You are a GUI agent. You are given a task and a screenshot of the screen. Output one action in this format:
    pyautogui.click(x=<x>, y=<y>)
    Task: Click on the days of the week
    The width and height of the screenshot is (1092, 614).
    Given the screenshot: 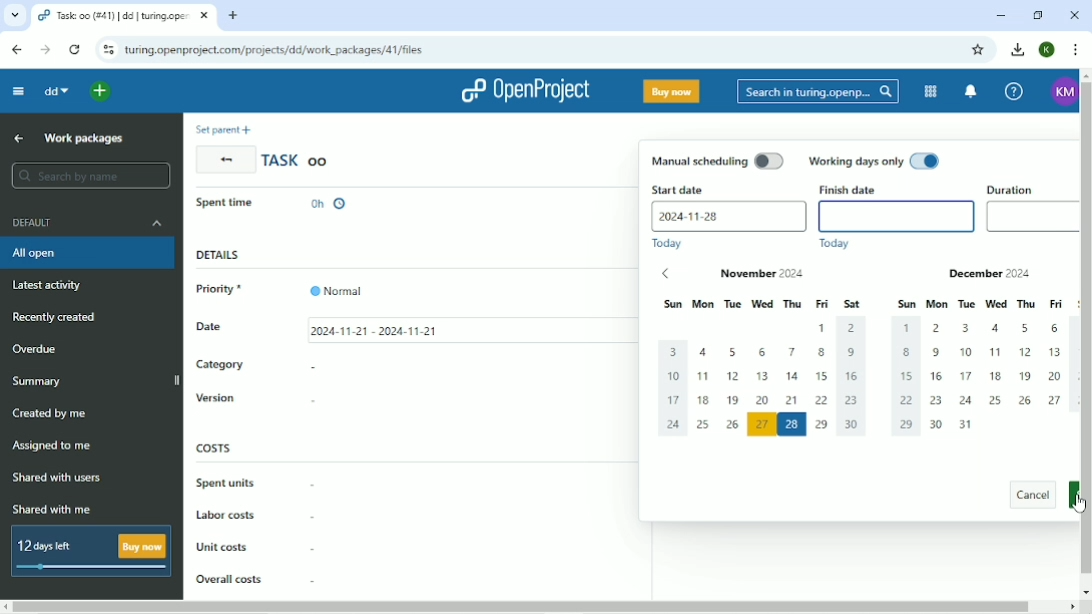 What is the action you would take?
    pyautogui.click(x=762, y=305)
    